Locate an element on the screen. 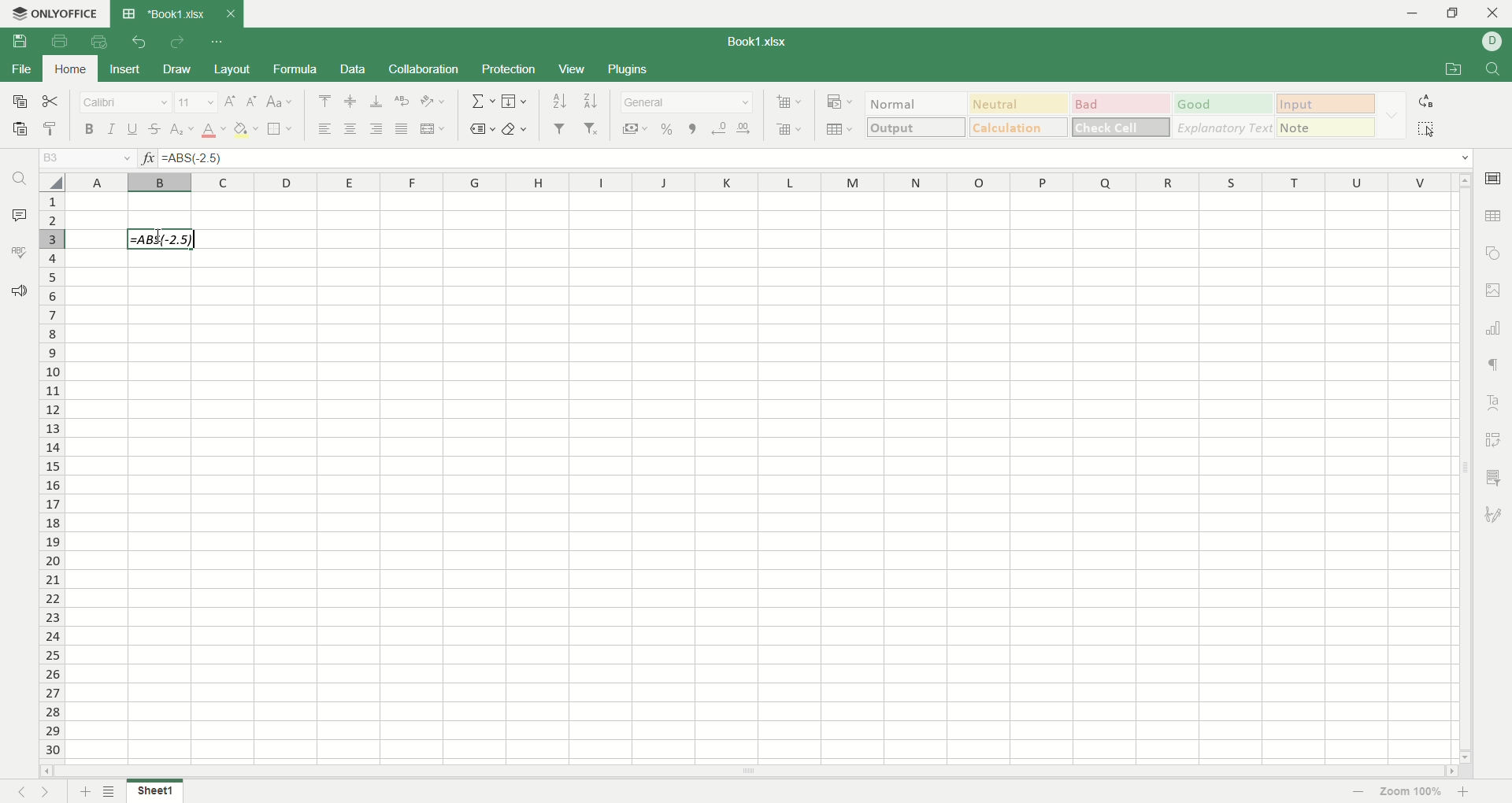 This screenshot has width=1512, height=803. input is located at coordinates (1327, 104).